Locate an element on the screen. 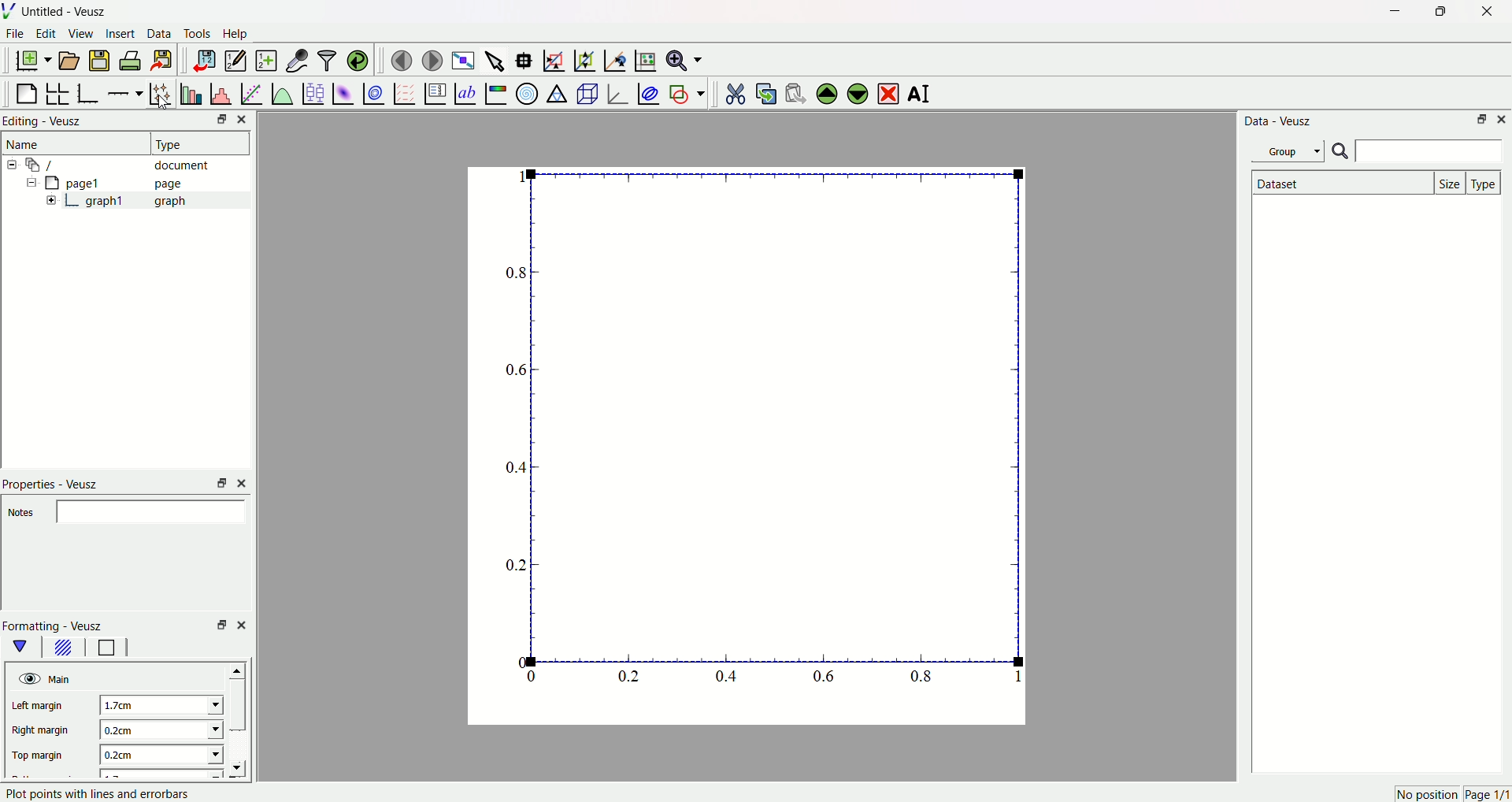 The height and width of the screenshot is (802, 1512). rename the widgets is located at coordinates (921, 95).